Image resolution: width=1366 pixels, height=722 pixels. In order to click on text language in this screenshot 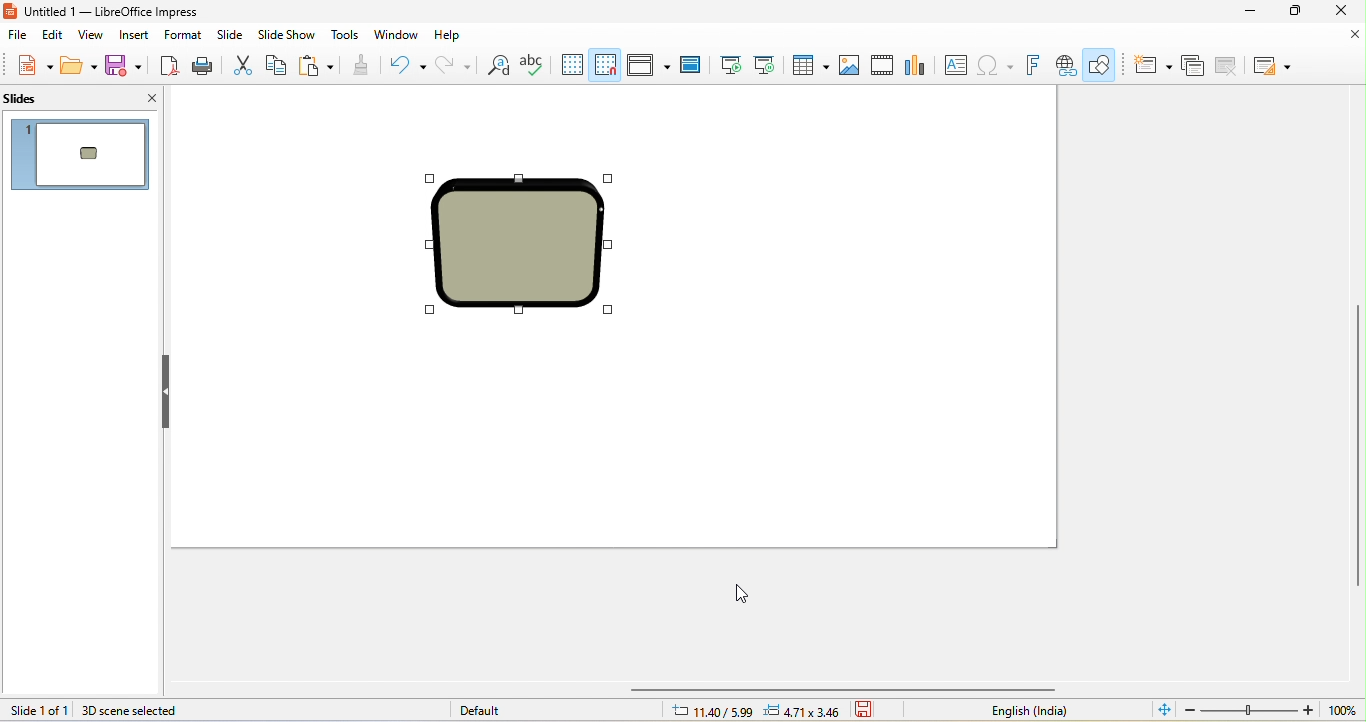, I will do `click(1026, 711)`.